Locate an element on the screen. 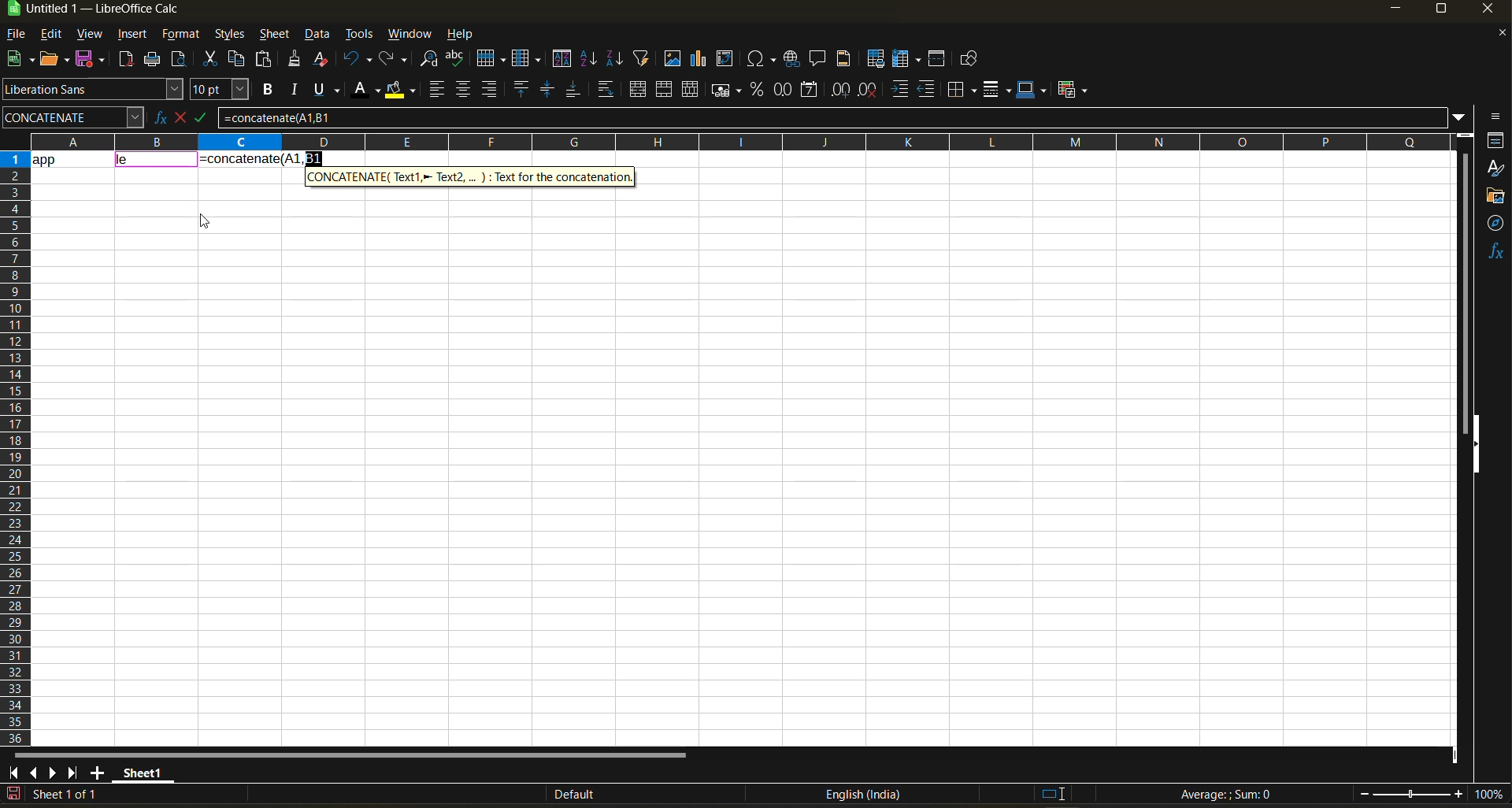  sort ascending is located at coordinates (590, 60).